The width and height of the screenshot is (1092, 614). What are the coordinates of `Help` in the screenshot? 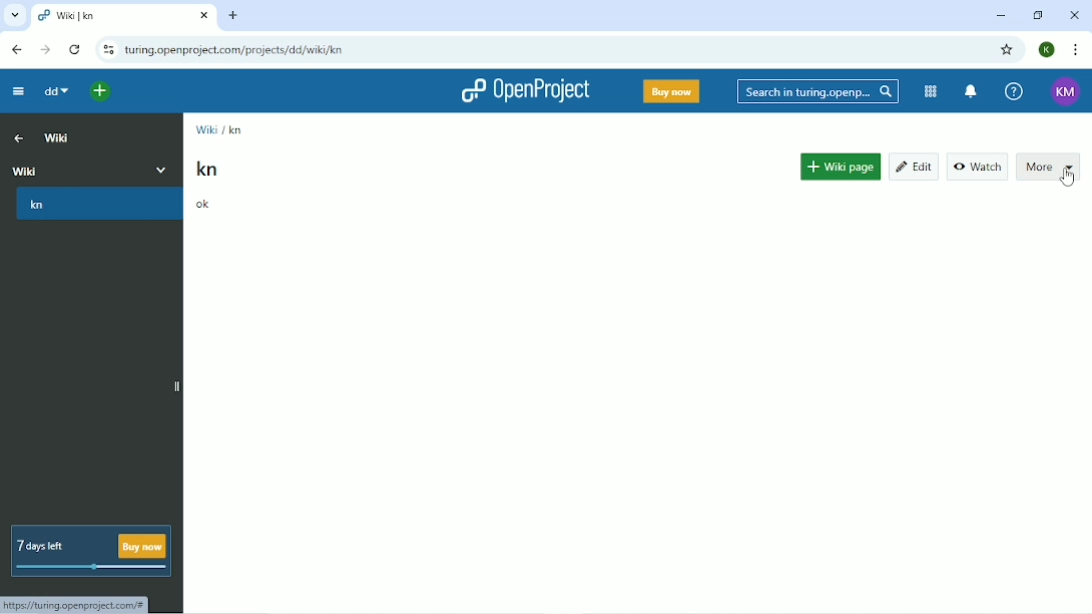 It's located at (1015, 90).